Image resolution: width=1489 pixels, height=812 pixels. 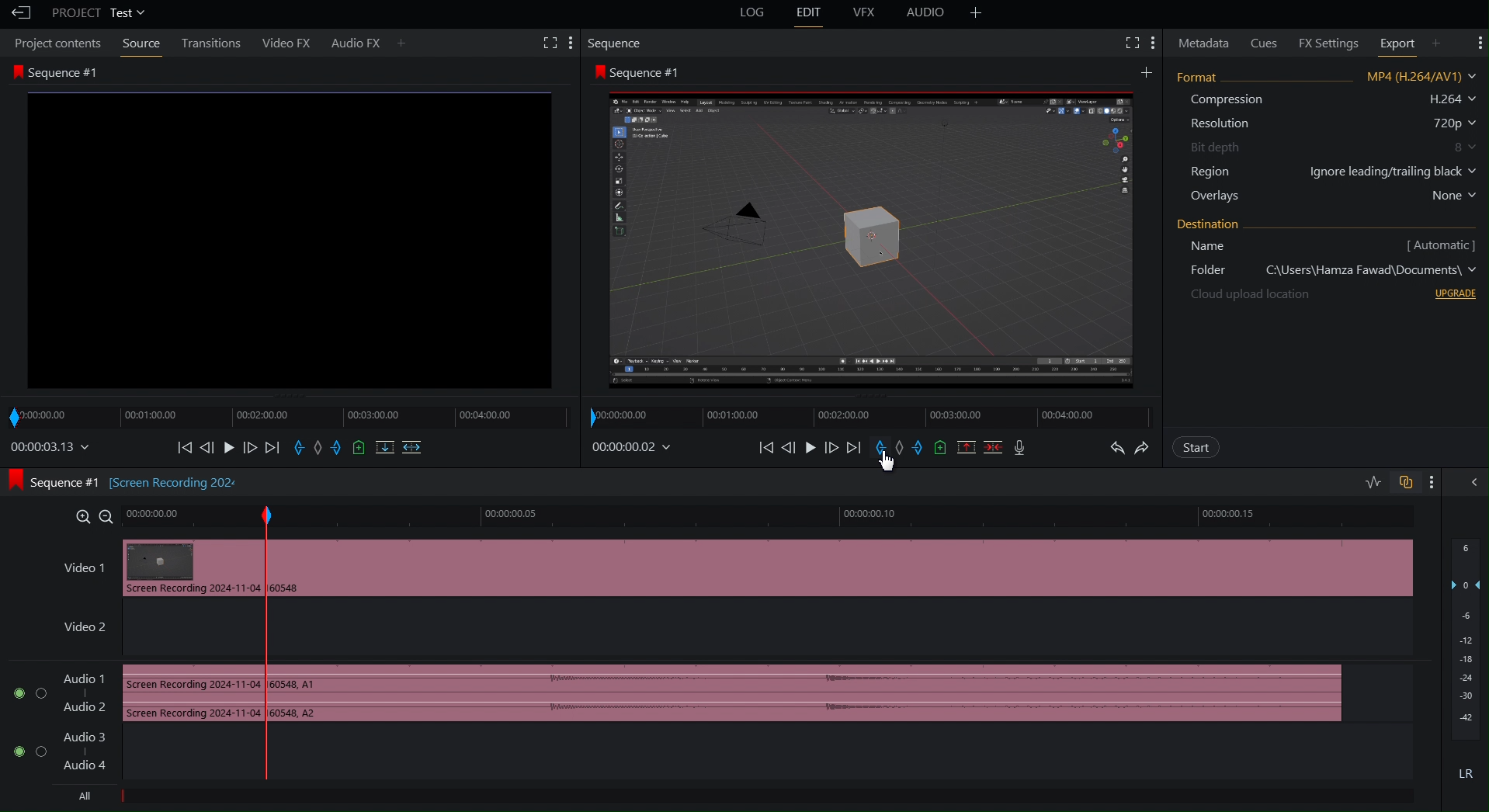 What do you see at coordinates (790, 447) in the screenshot?
I see `Move Back` at bounding box center [790, 447].